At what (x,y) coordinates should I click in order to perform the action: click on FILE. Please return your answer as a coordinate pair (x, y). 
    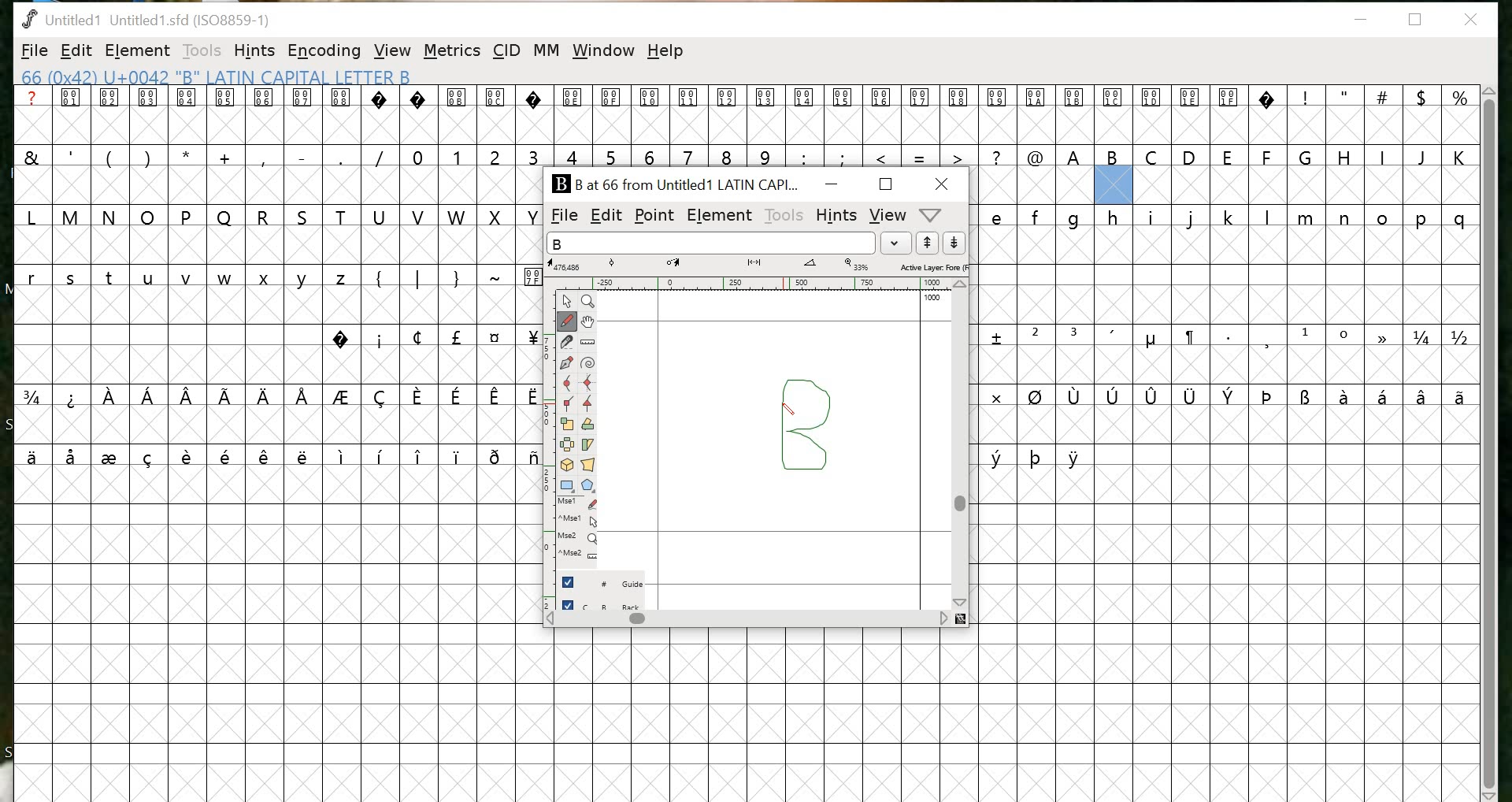
    Looking at the image, I should click on (33, 52).